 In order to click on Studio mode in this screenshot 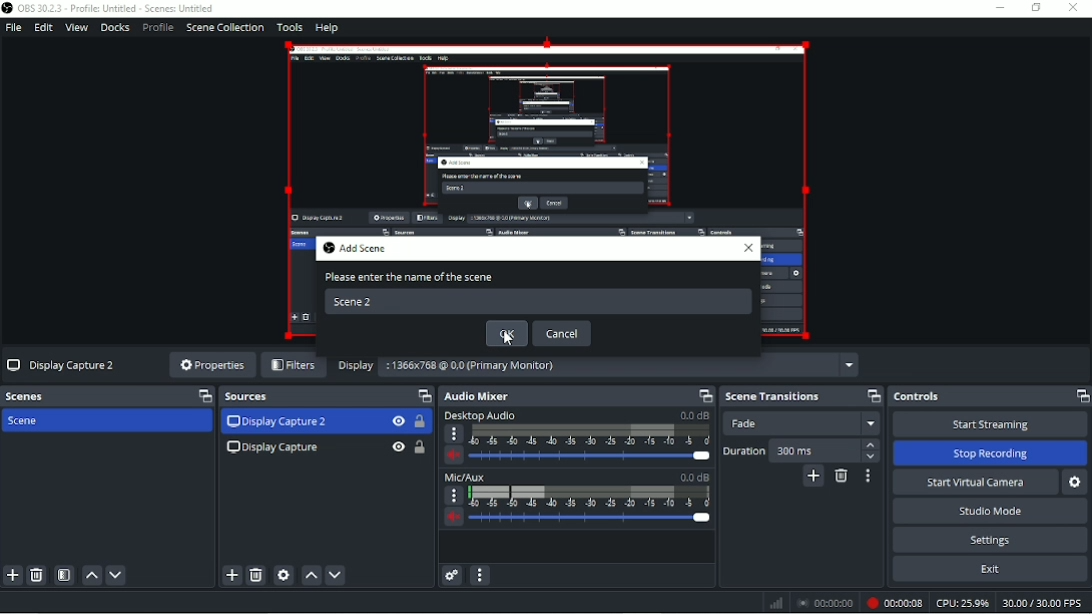, I will do `click(987, 512)`.